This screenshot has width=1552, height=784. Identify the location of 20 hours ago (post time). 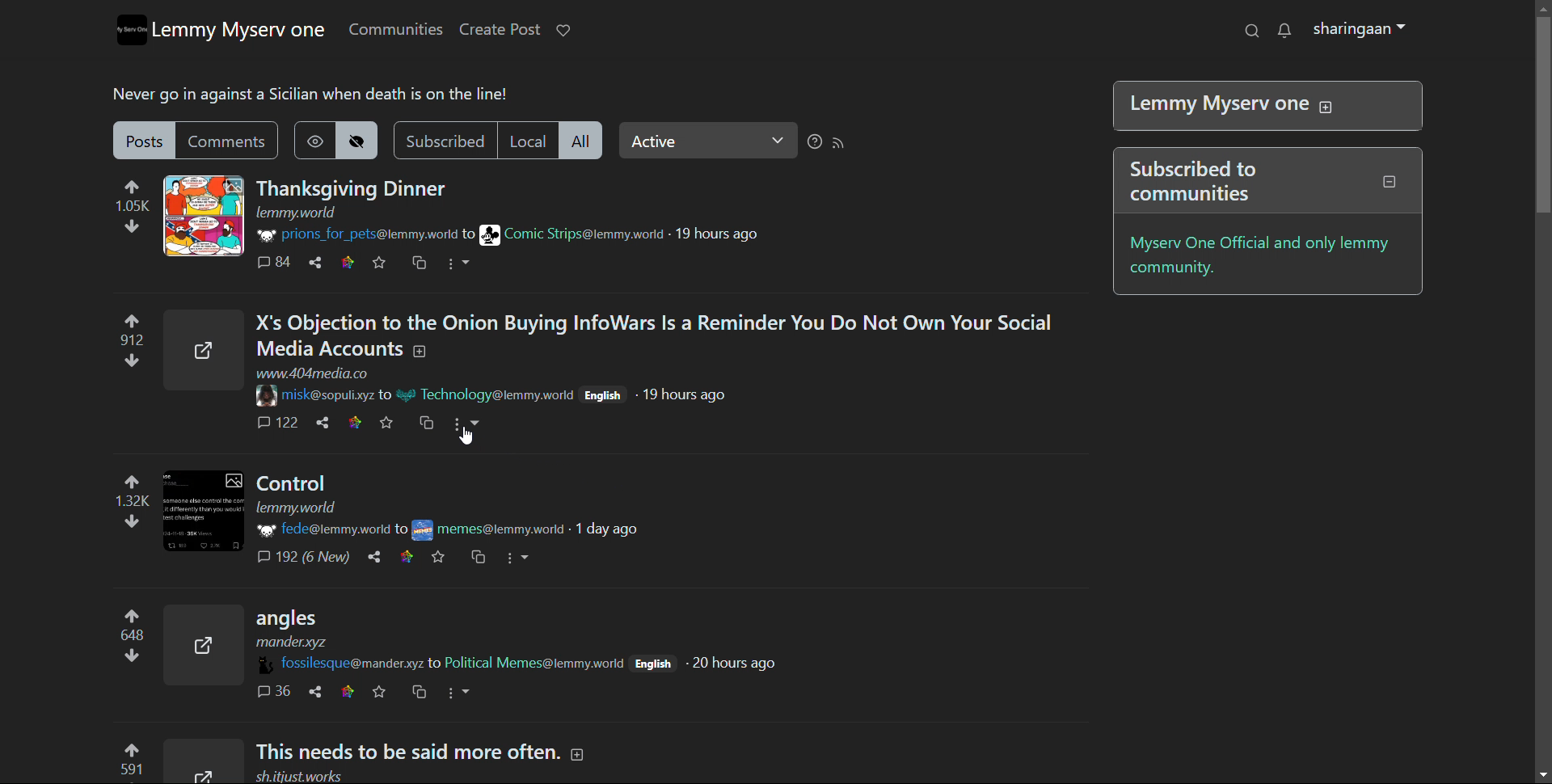
(731, 663).